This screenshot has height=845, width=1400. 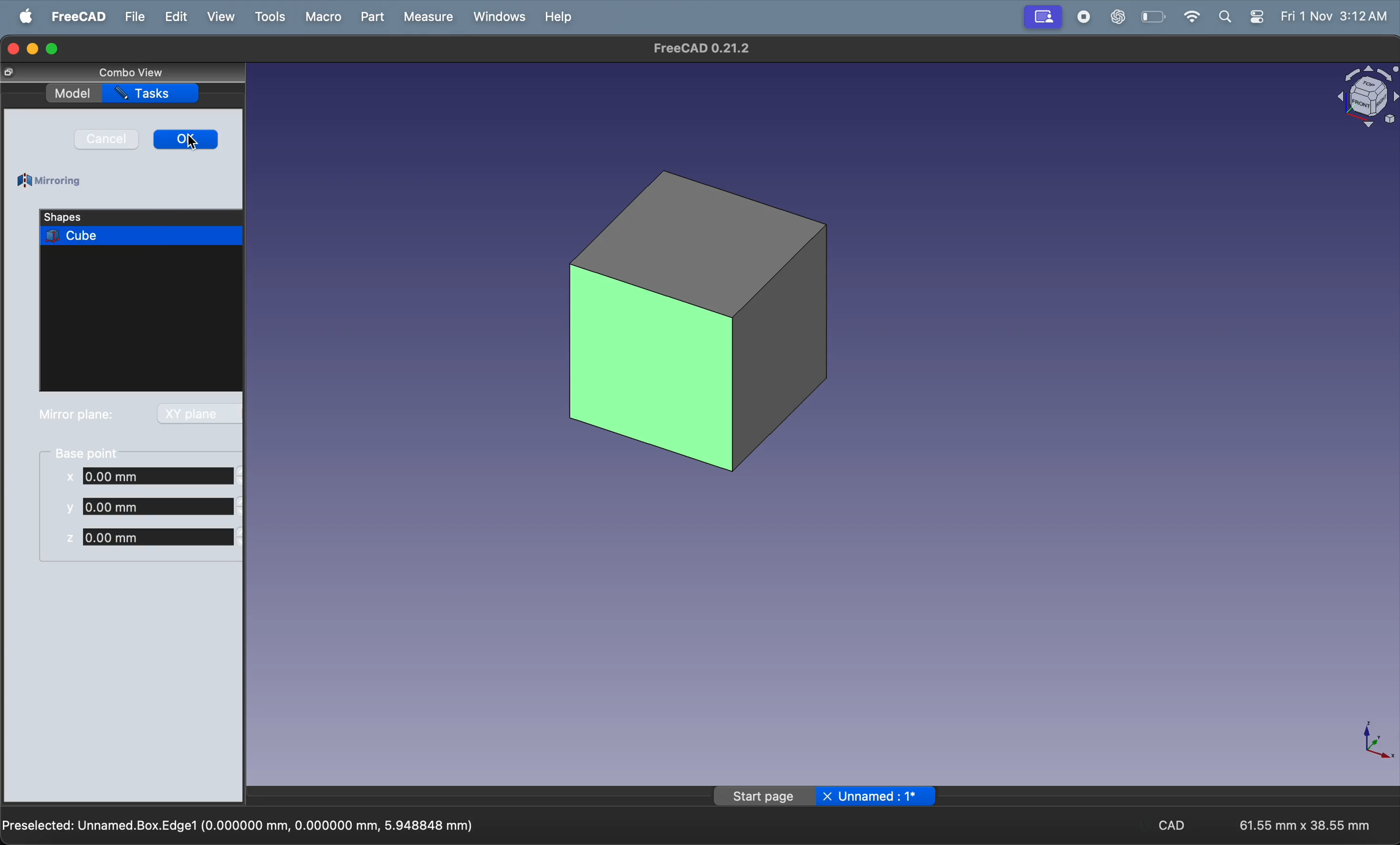 What do you see at coordinates (1041, 17) in the screenshot?
I see `profile` at bounding box center [1041, 17].